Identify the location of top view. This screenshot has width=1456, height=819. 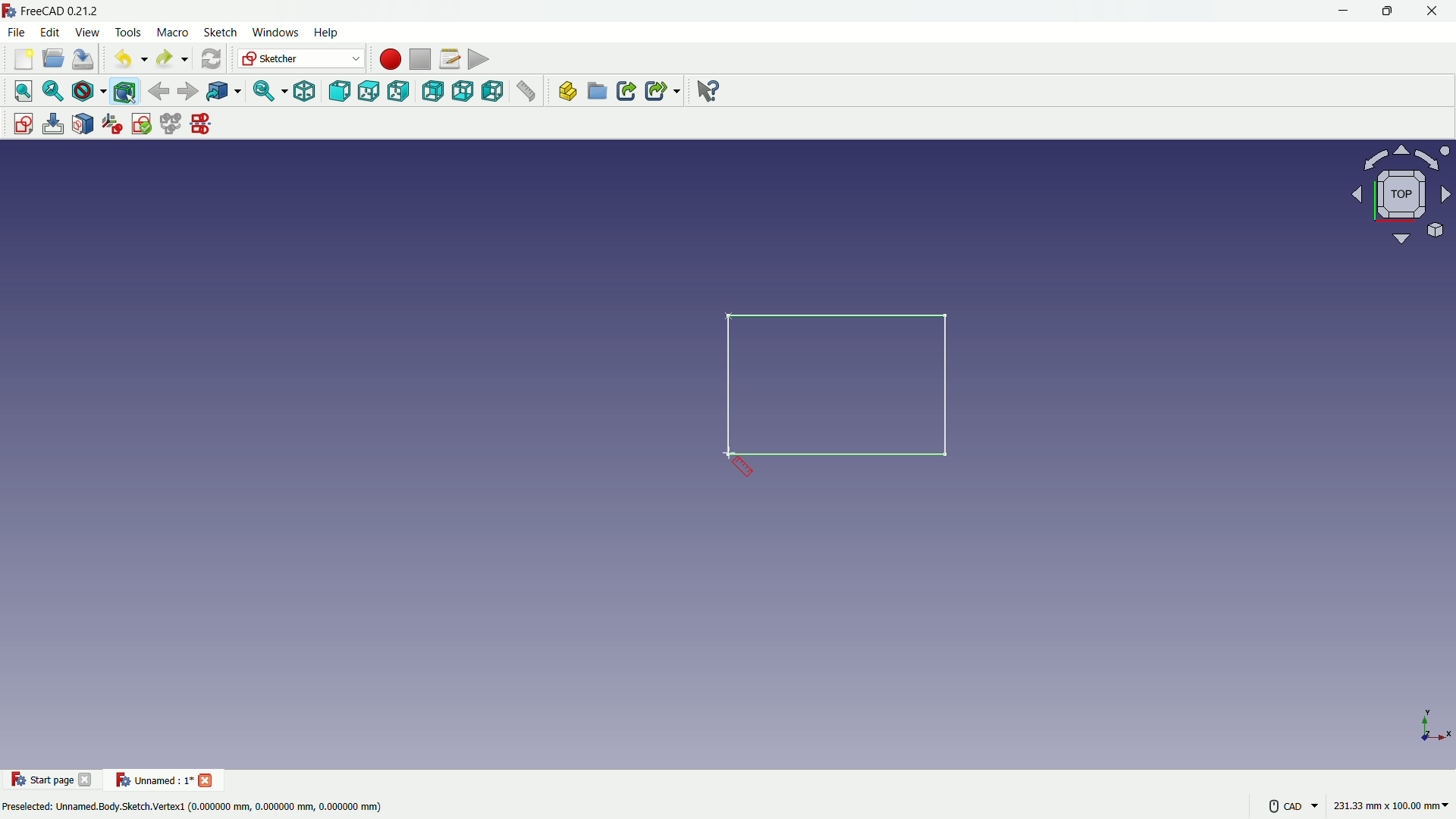
(369, 90).